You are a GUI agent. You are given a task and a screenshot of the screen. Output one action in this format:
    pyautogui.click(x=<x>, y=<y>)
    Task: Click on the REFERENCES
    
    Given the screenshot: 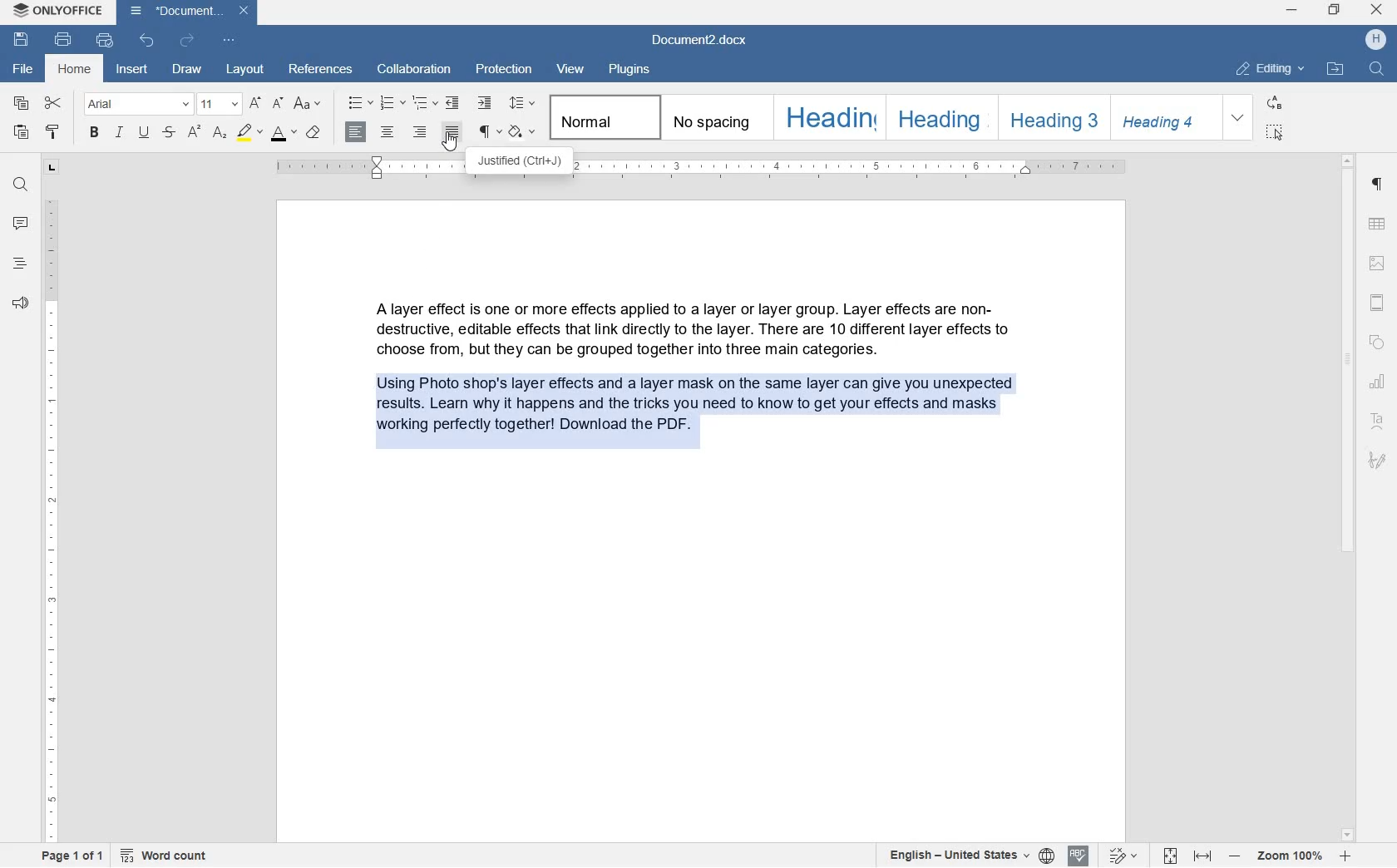 What is the action you would take?
    pyautogui.click(x=322, y=71)
    